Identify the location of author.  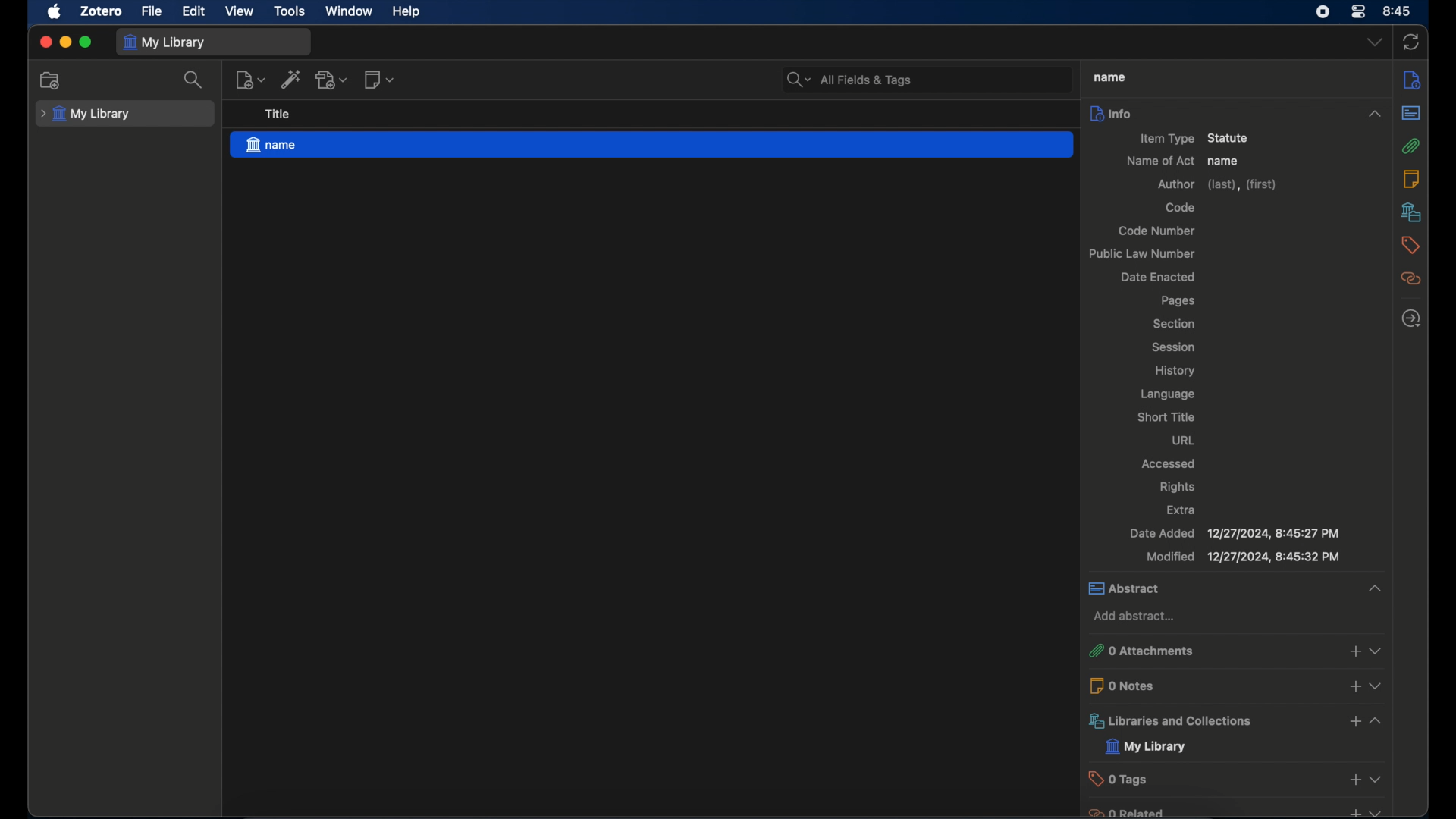
(1216, 185).